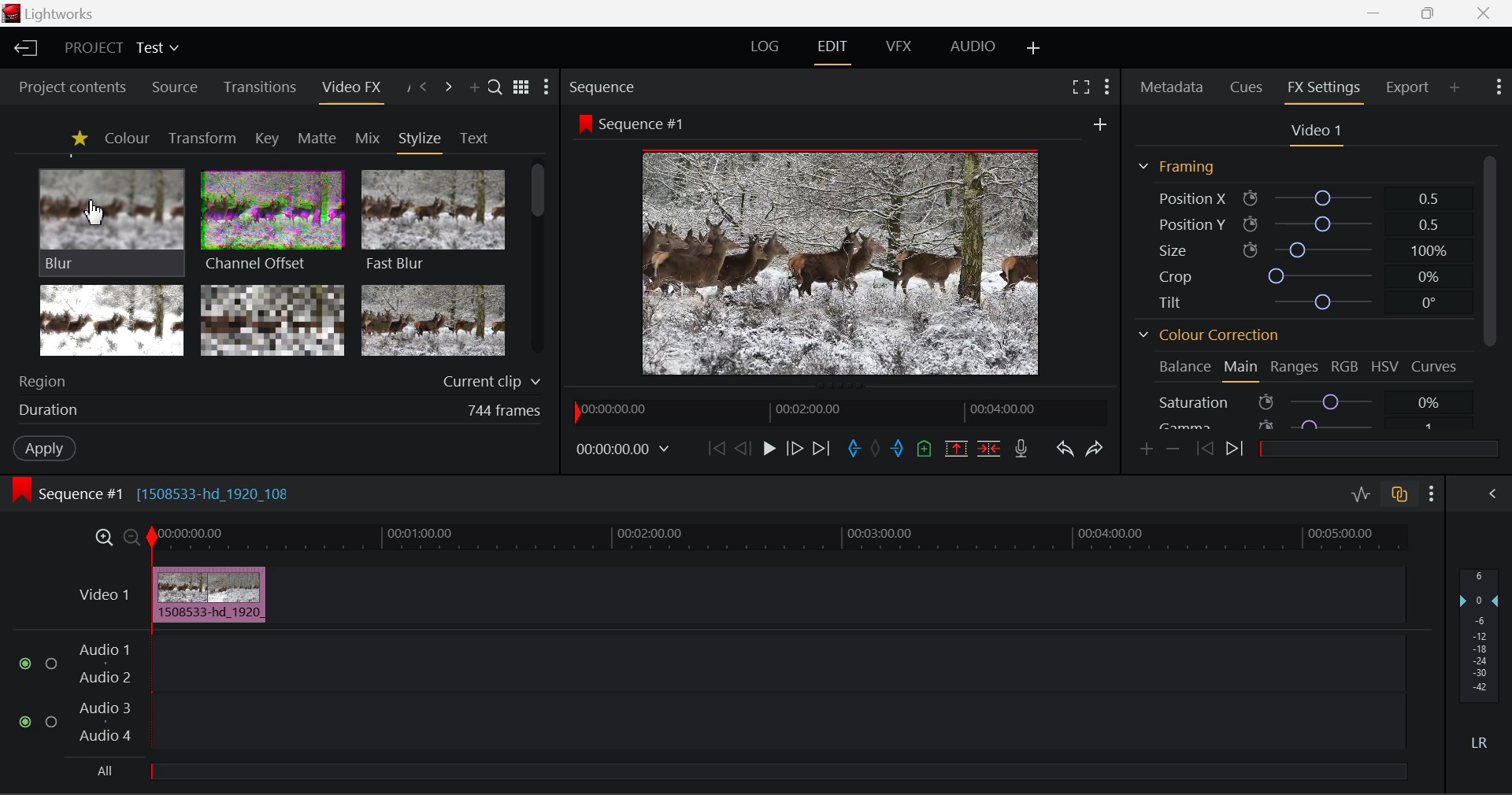  Describe the element at coordinates (474, 89) in the screenshot. I see `Add Panel` at that location.